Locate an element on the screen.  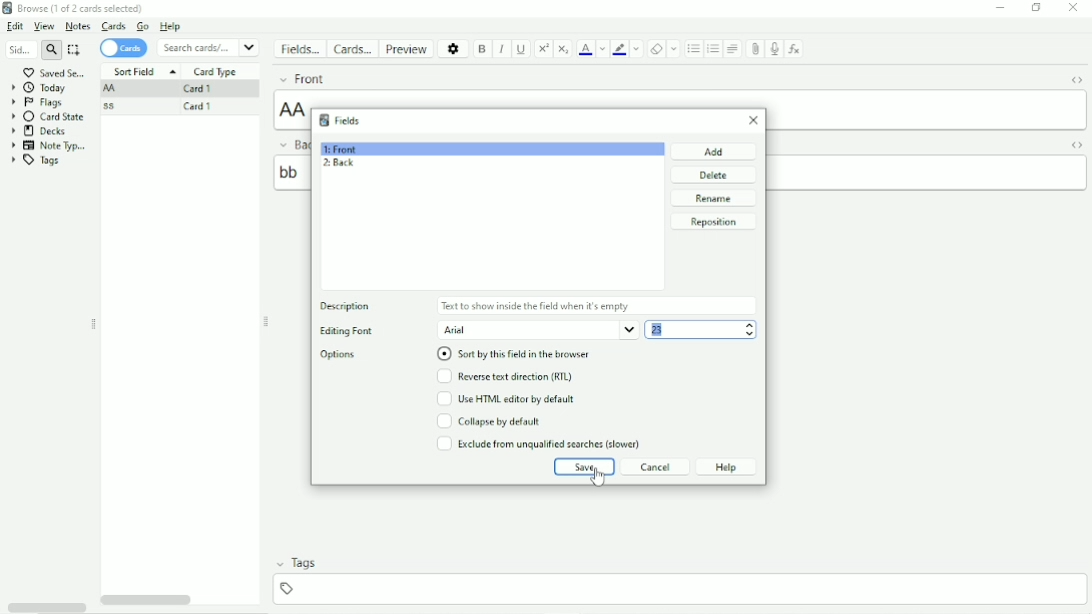
Subscript is located at coordinates (564, 48).